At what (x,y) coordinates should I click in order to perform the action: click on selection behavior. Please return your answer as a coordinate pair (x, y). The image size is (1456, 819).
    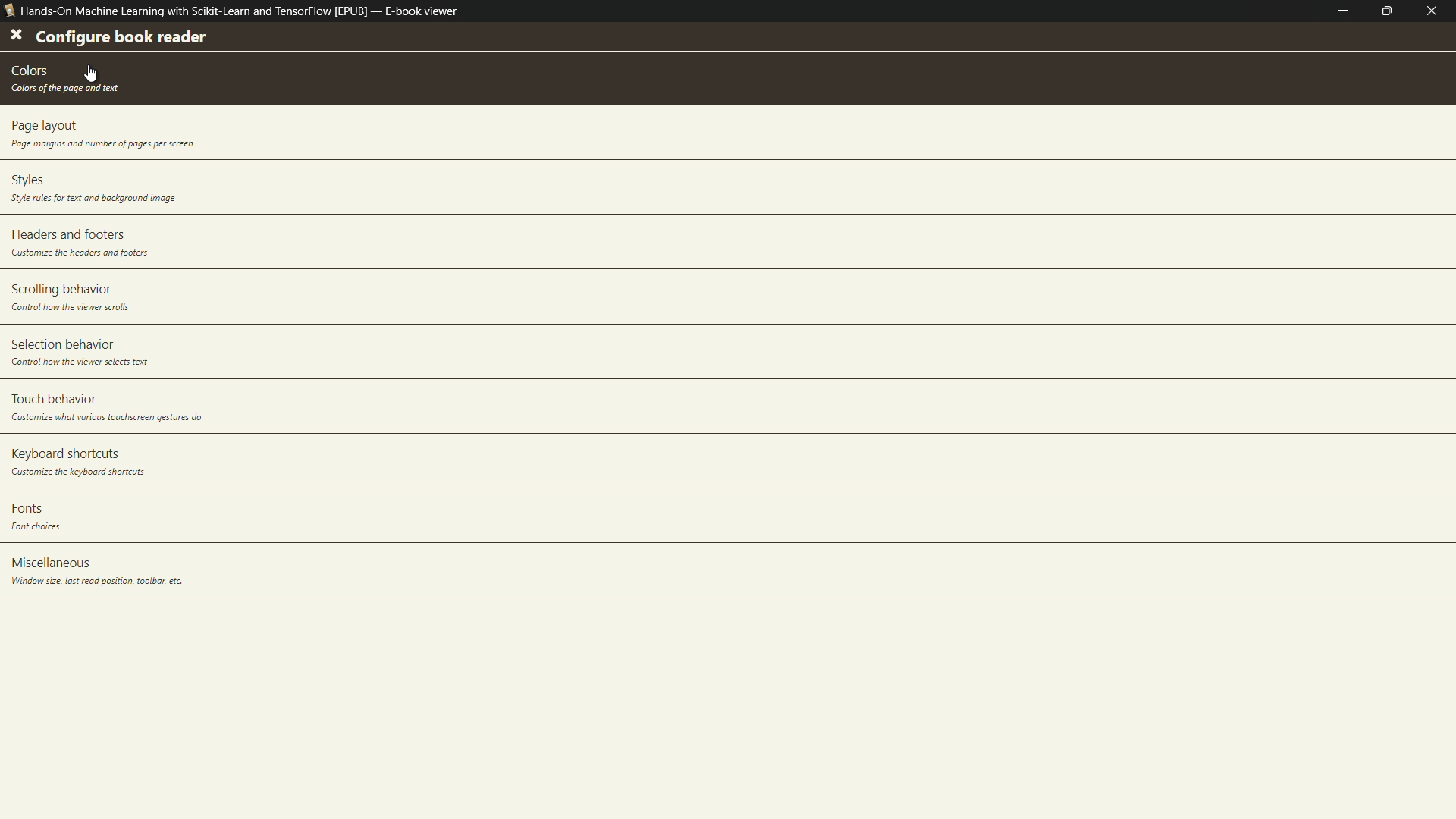
    Looking at the image, I should click on (62, 343).